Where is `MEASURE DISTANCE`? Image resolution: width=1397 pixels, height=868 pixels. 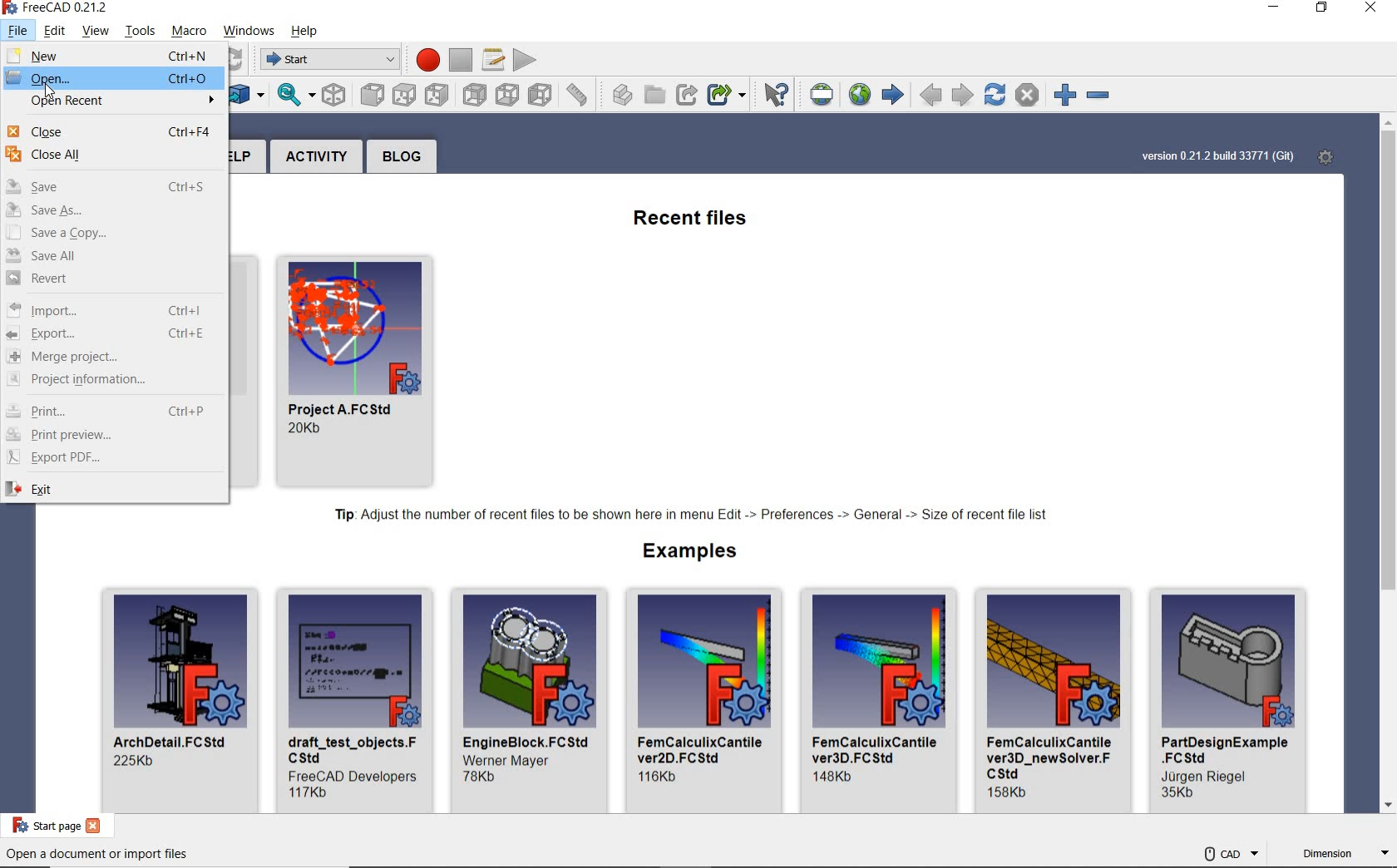
MEASURE DISTANCE is located at coordinates (580, 93).